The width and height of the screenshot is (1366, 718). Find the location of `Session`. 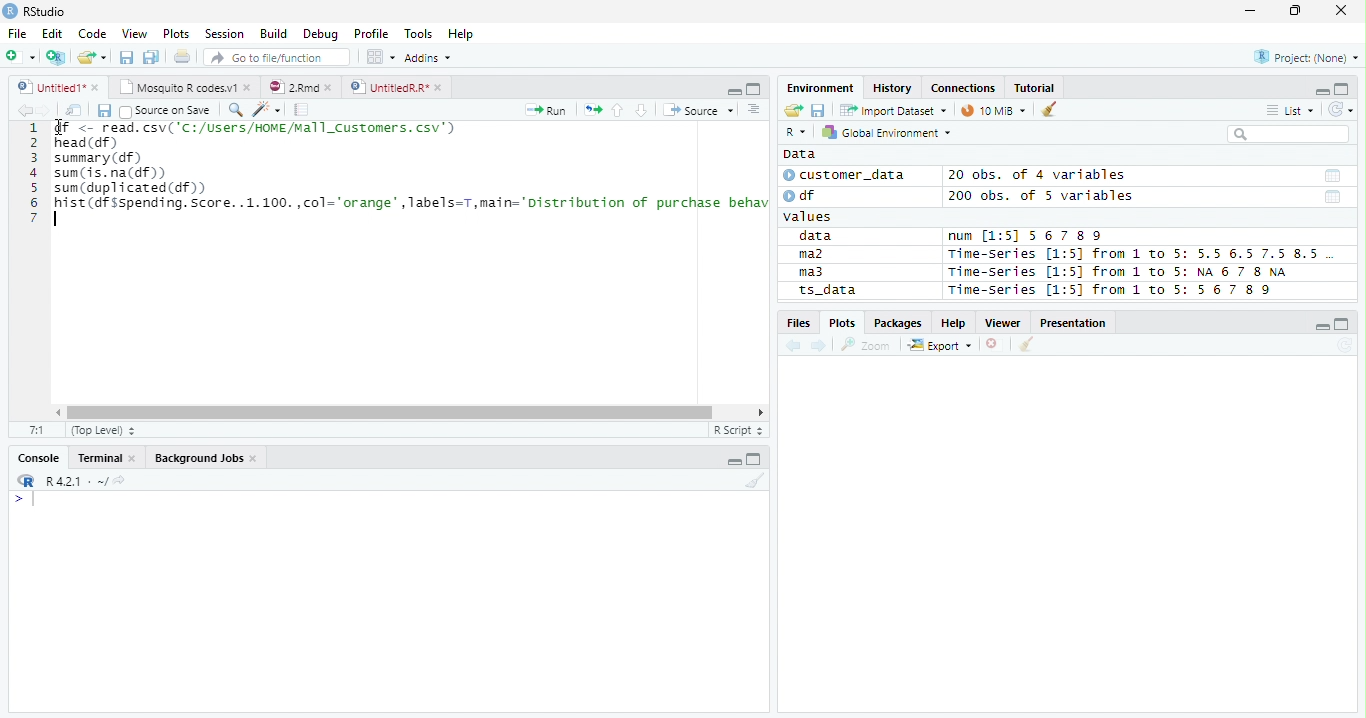

Session is located at coordinates (223, 33).